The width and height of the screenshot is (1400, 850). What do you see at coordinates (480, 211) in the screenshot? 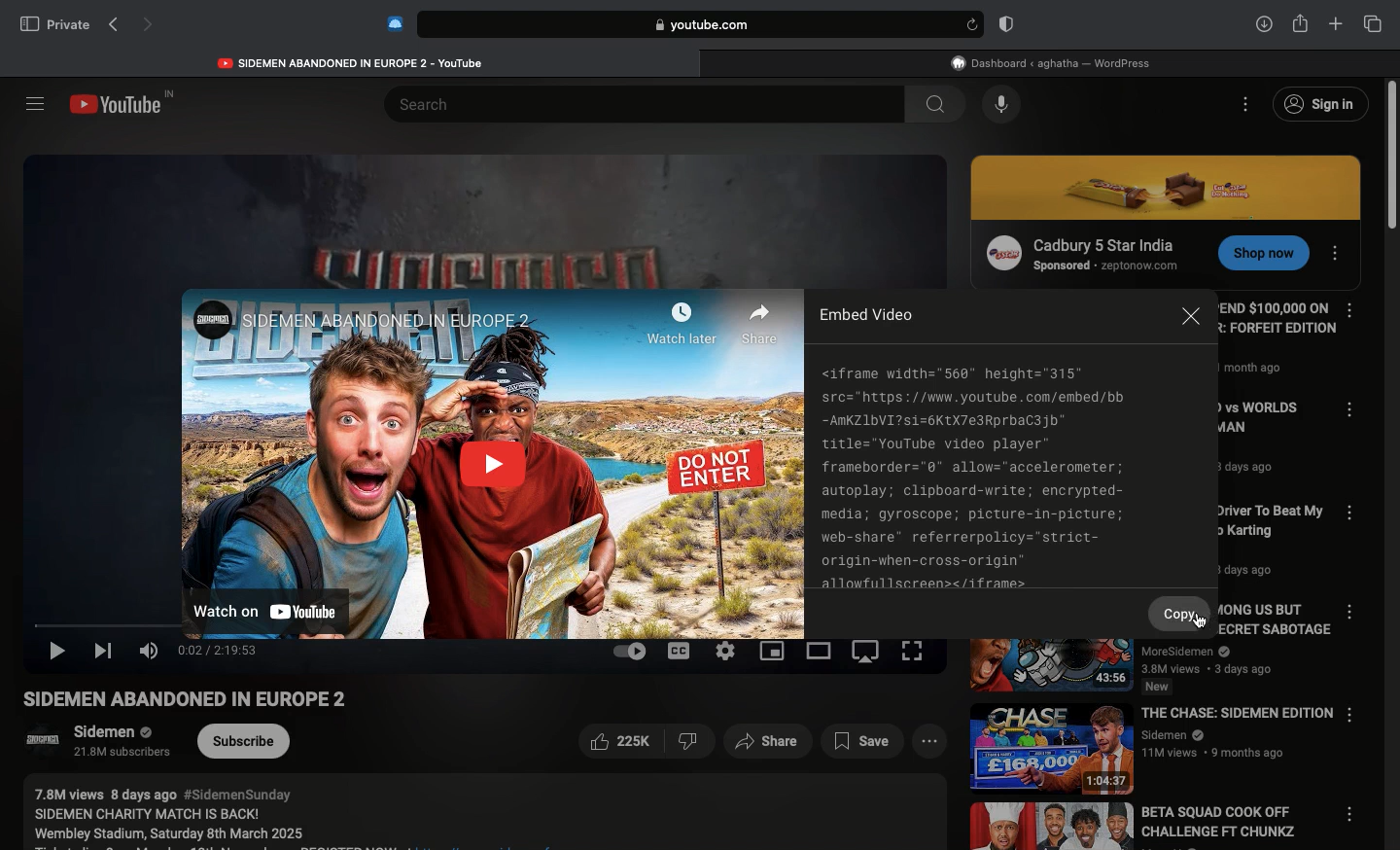
I see `Videos` at bounding box center [480, 211].